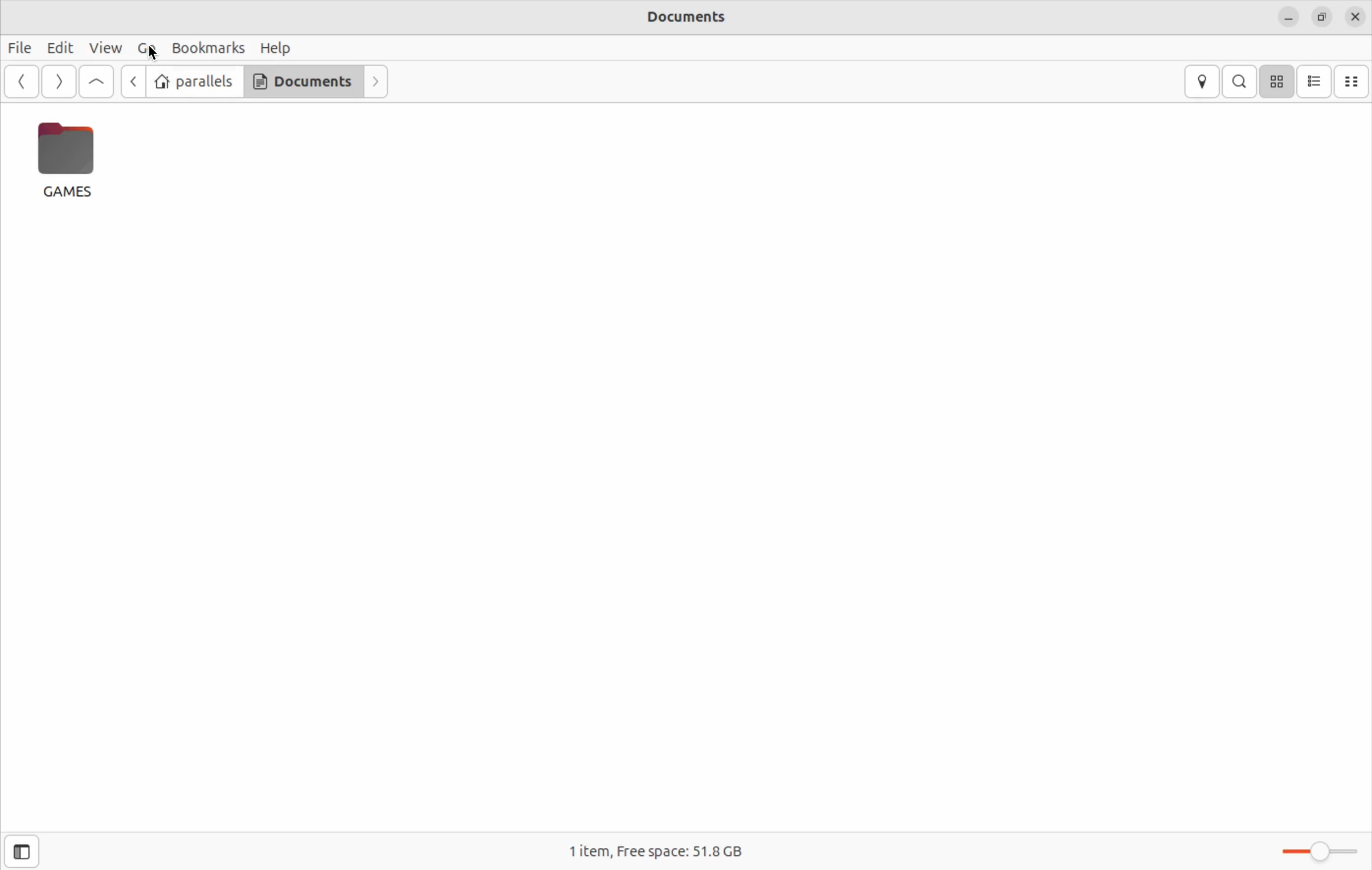 The width and height of the screenshot is (1372, 870). What do you see at coordinates (1312, 848) in the screenshot?
I see `toggle zoom` at bounding box center [1312, 848].